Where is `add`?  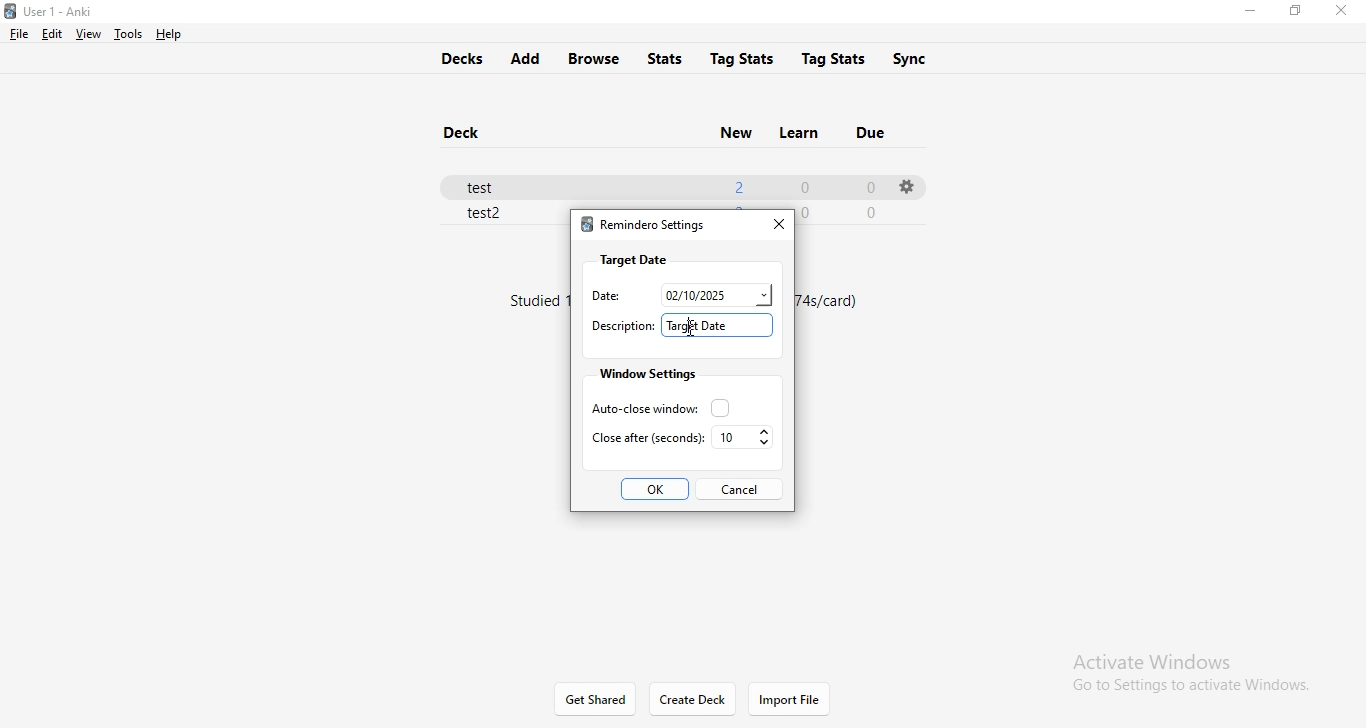 add is located at coordinates (524, 59).